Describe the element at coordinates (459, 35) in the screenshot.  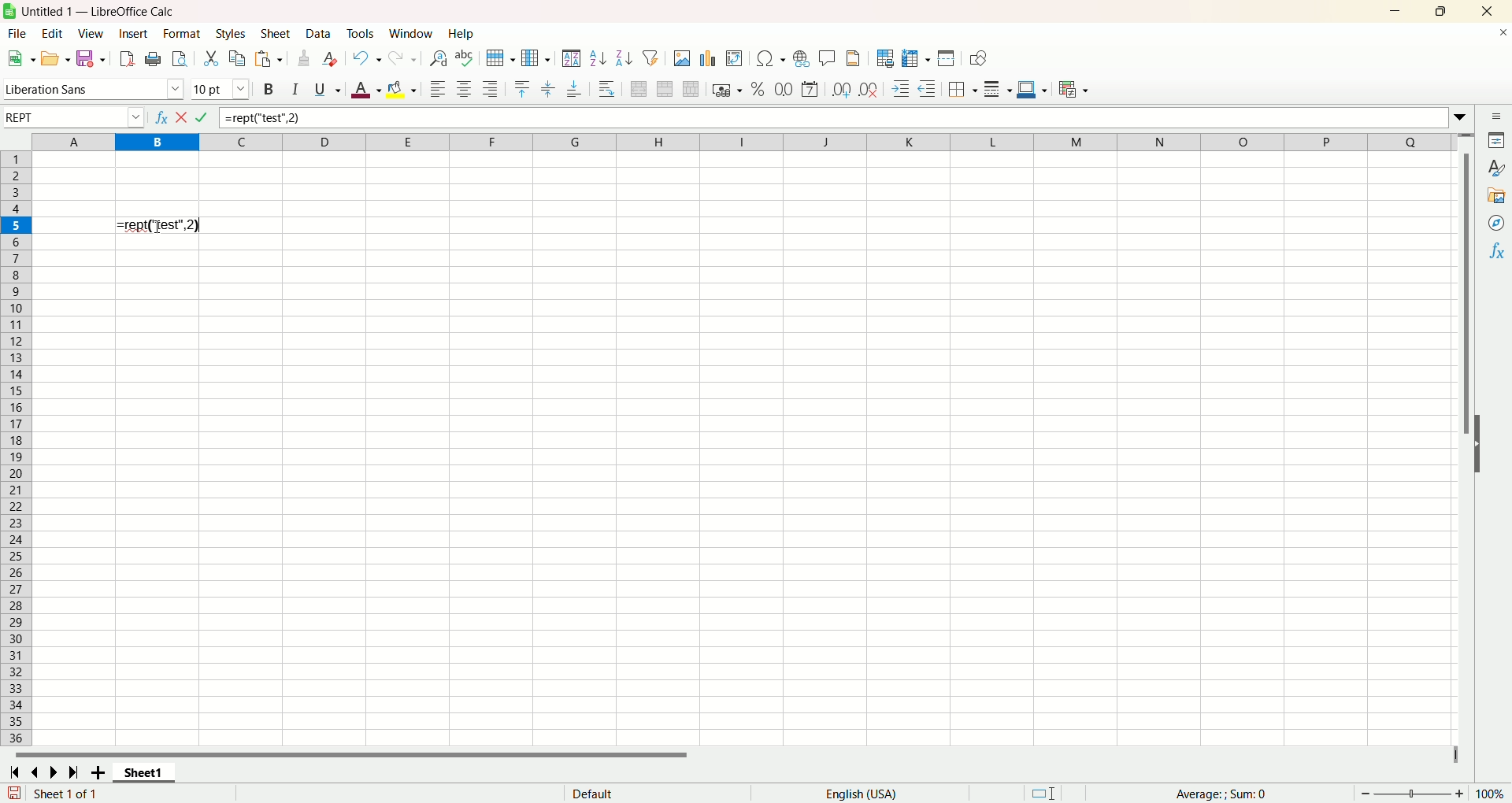
I see `help` at that location.